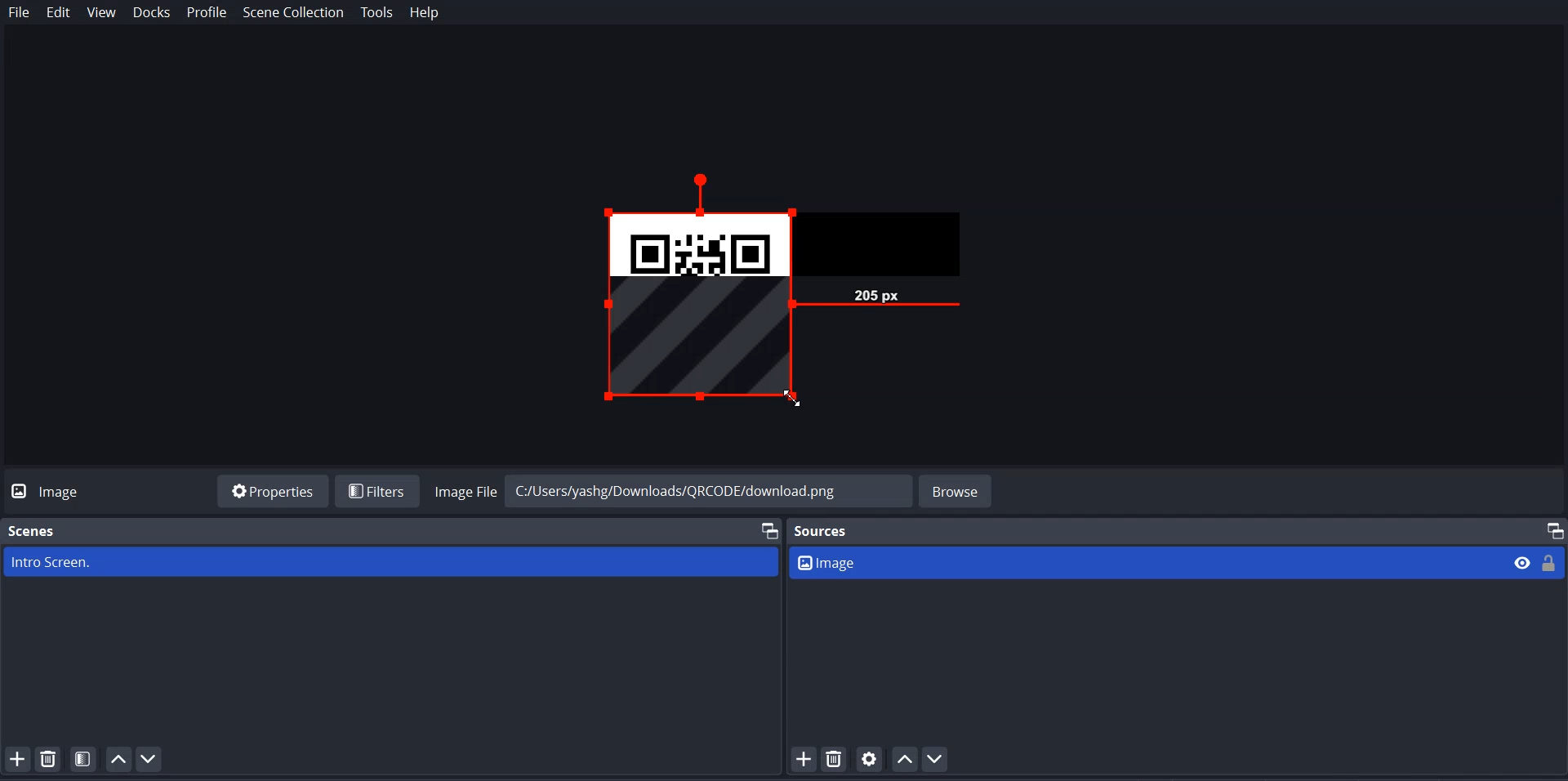  Describe the element at coordinates (957, 489) in the screenshot. I see `Browse` at that location.